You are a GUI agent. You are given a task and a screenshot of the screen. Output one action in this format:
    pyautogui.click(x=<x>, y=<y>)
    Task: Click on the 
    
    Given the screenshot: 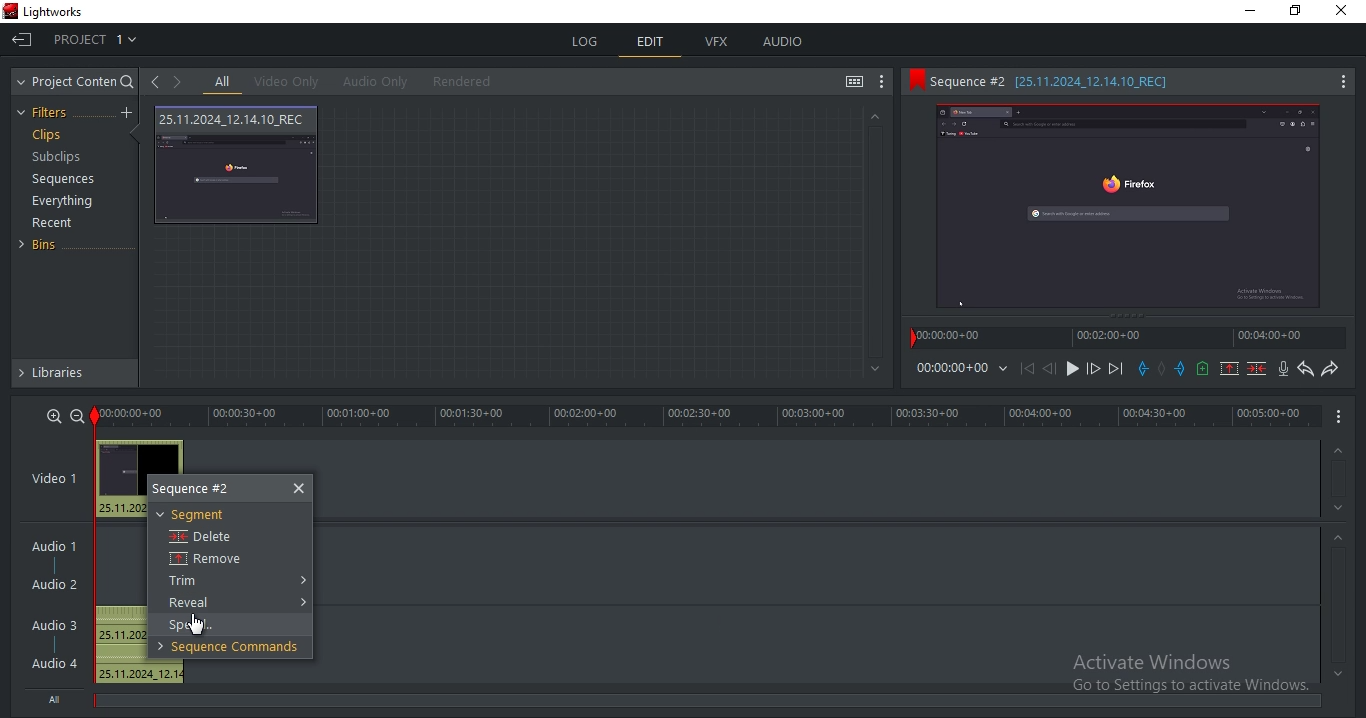 What is the action you would take?
    pyautogui.click(x=1041, y=370)
    